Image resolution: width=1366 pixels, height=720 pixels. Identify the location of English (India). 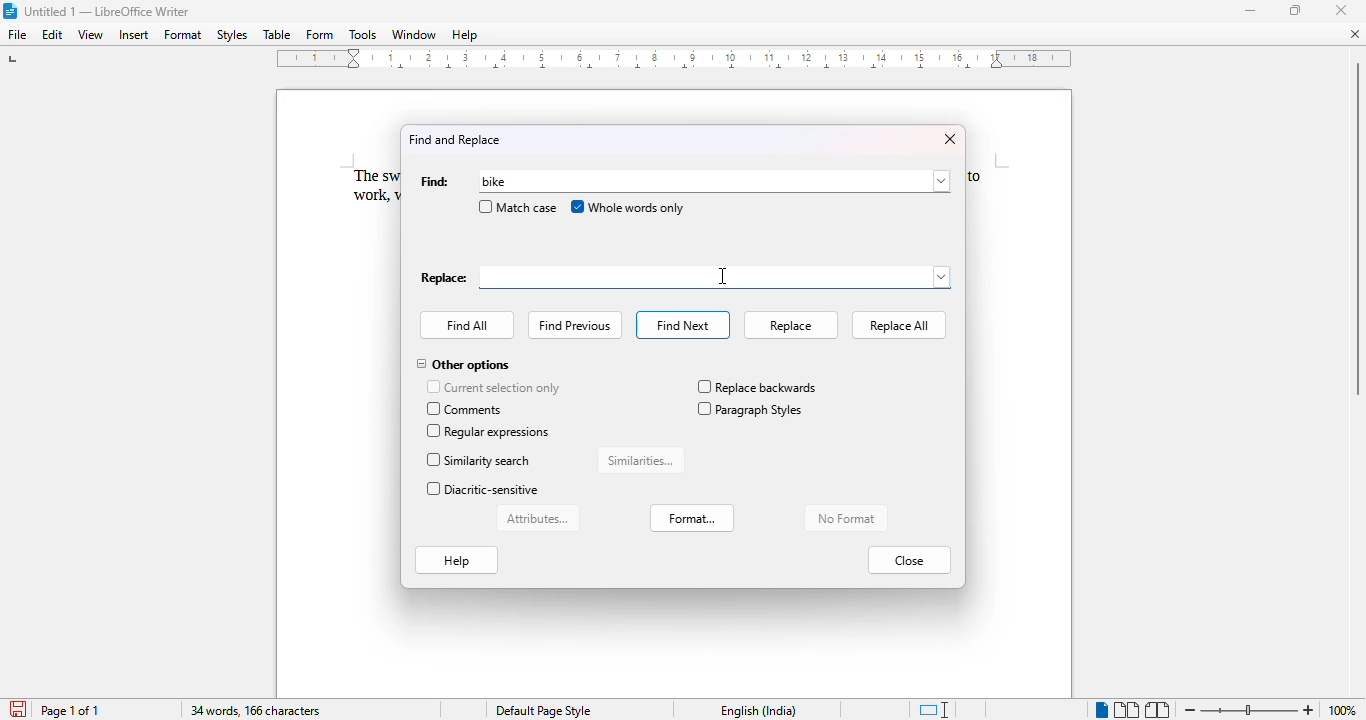
(757, 711).